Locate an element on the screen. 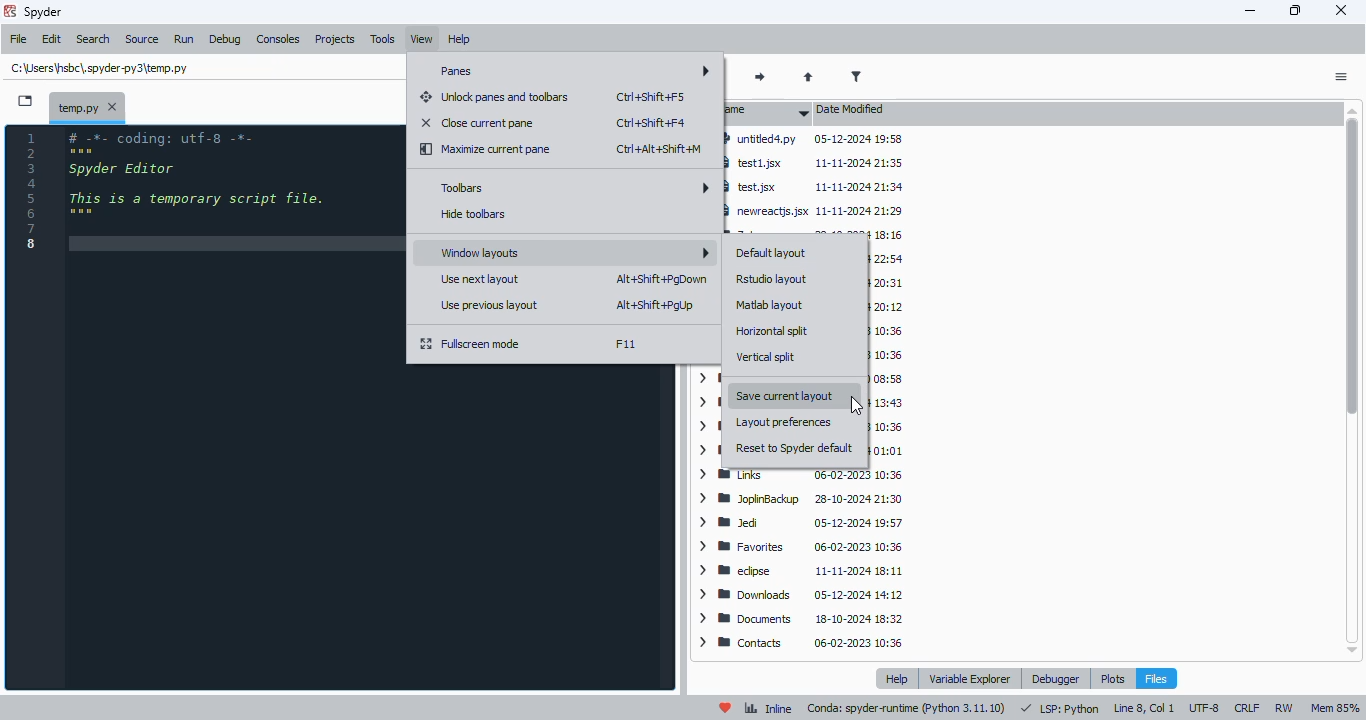 The width and height of the screenshot is (1366, 720). use previous layout is located at coordinates (487, 306).